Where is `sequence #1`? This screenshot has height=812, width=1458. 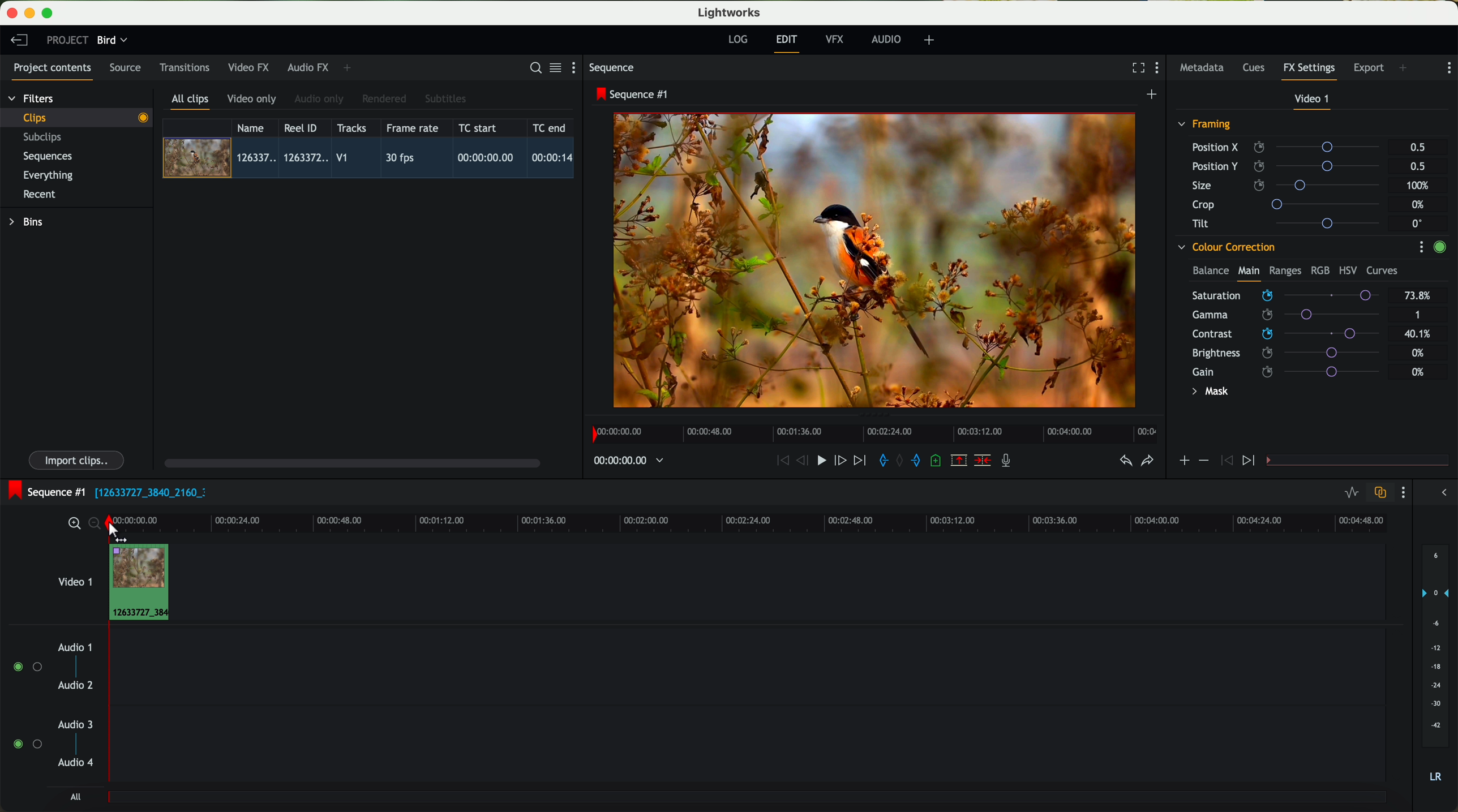
sequence #1 is located at coordinates (633, 94).